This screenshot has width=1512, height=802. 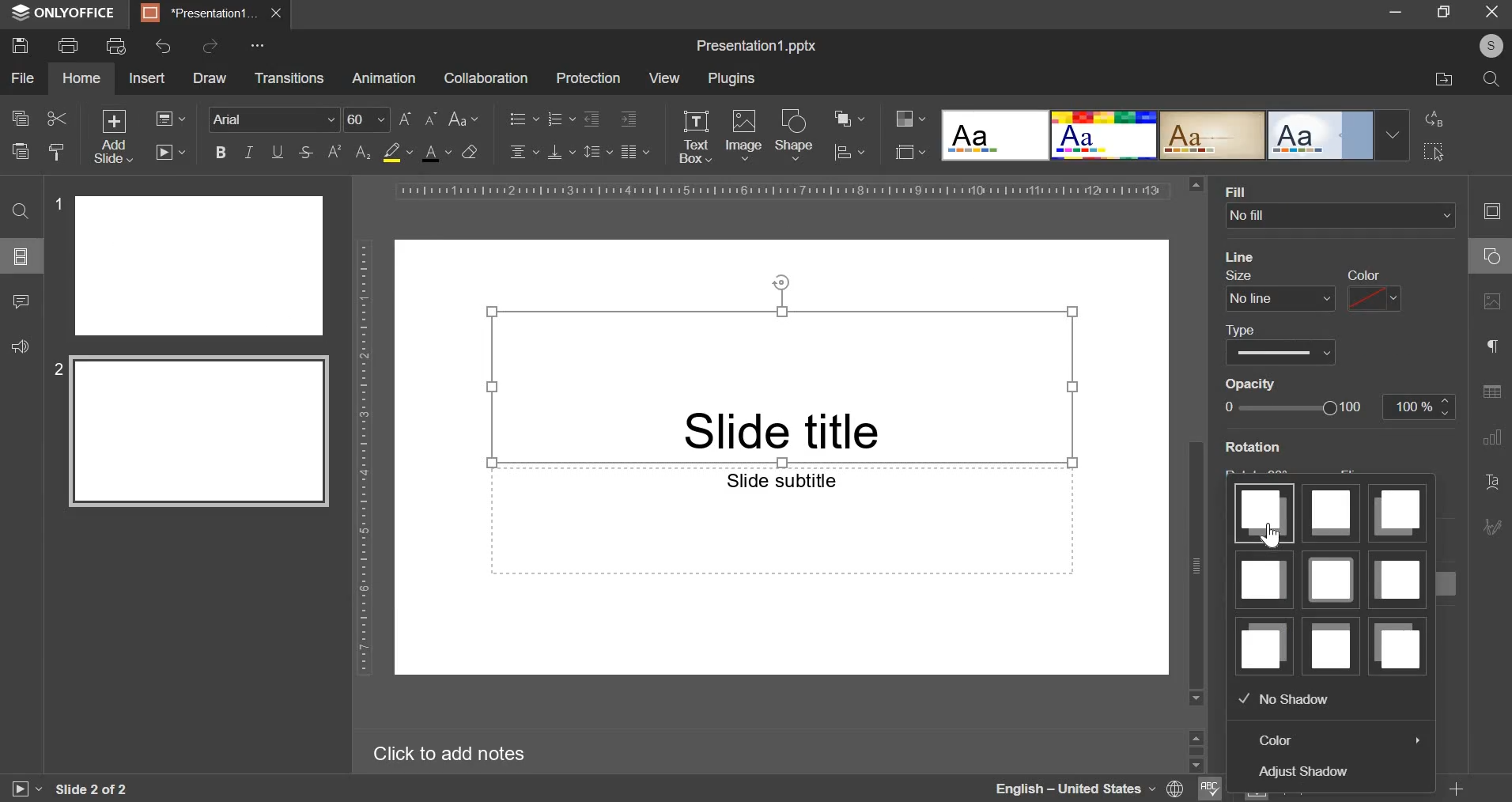 What do you see at coordinates (1330, 579) in the screenshot?
I see `shadow options` at bounding box center [1330, 579].